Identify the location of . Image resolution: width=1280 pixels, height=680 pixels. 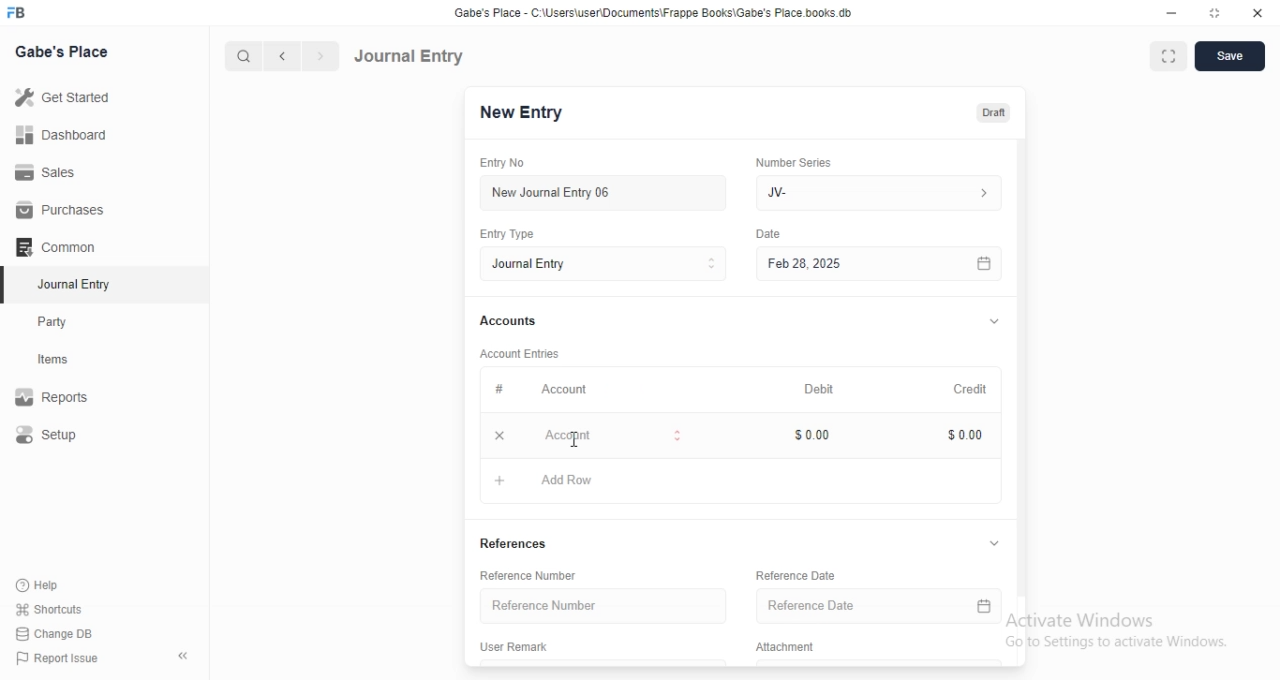
(771, 236).